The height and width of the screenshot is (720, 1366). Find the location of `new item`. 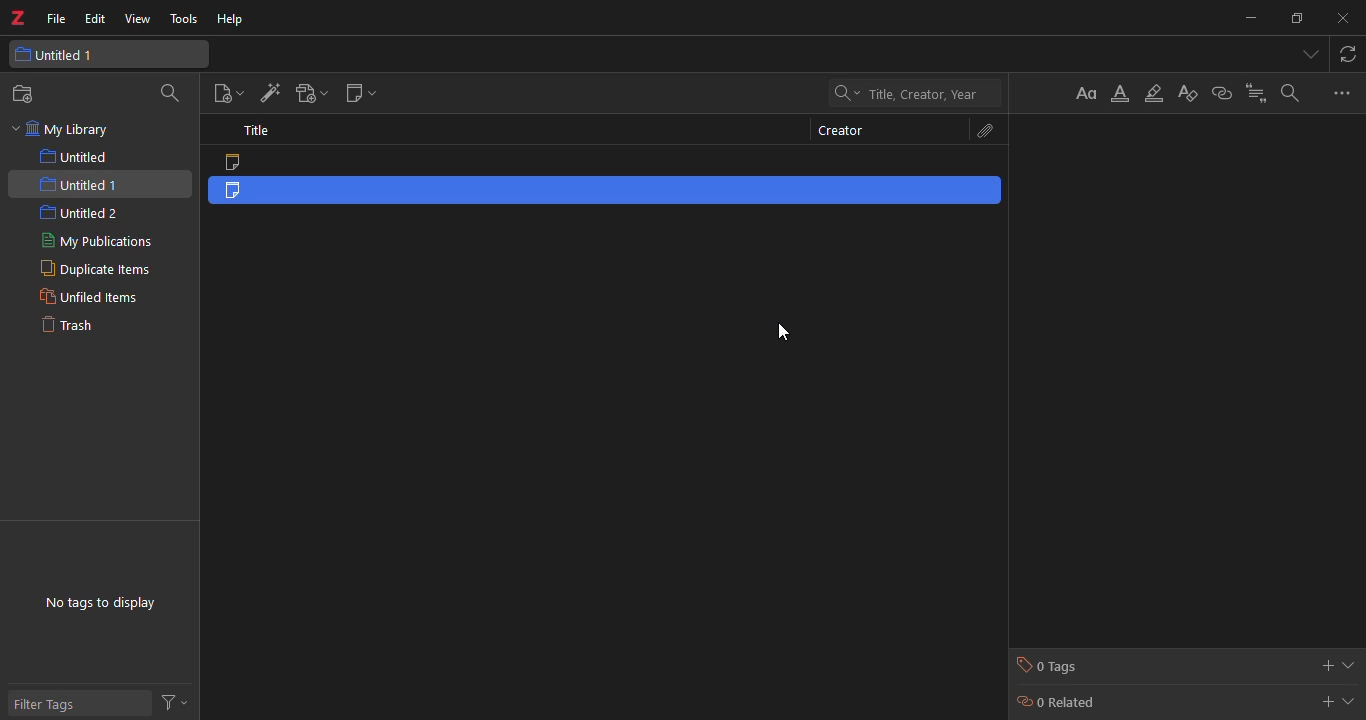

new item is located at coordinates (227, 93).